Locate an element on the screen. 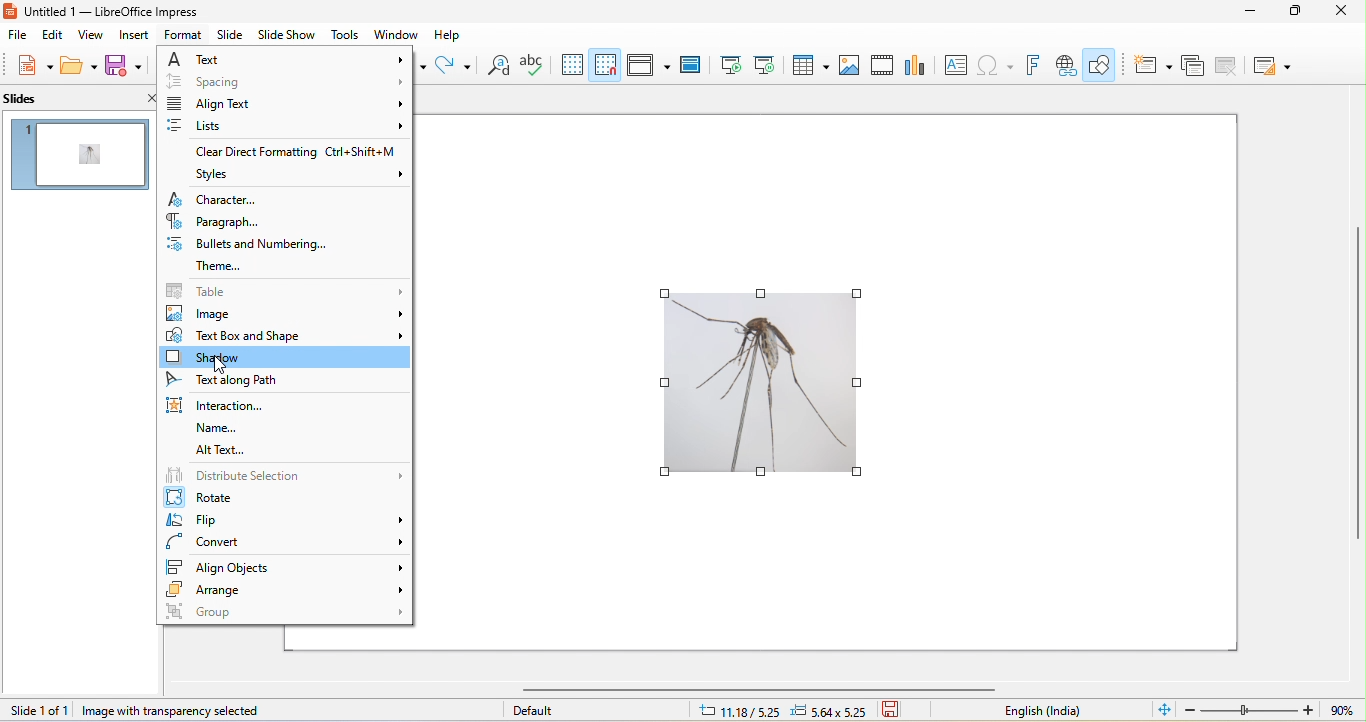  cursor movement is located at coordinates (220, 369).